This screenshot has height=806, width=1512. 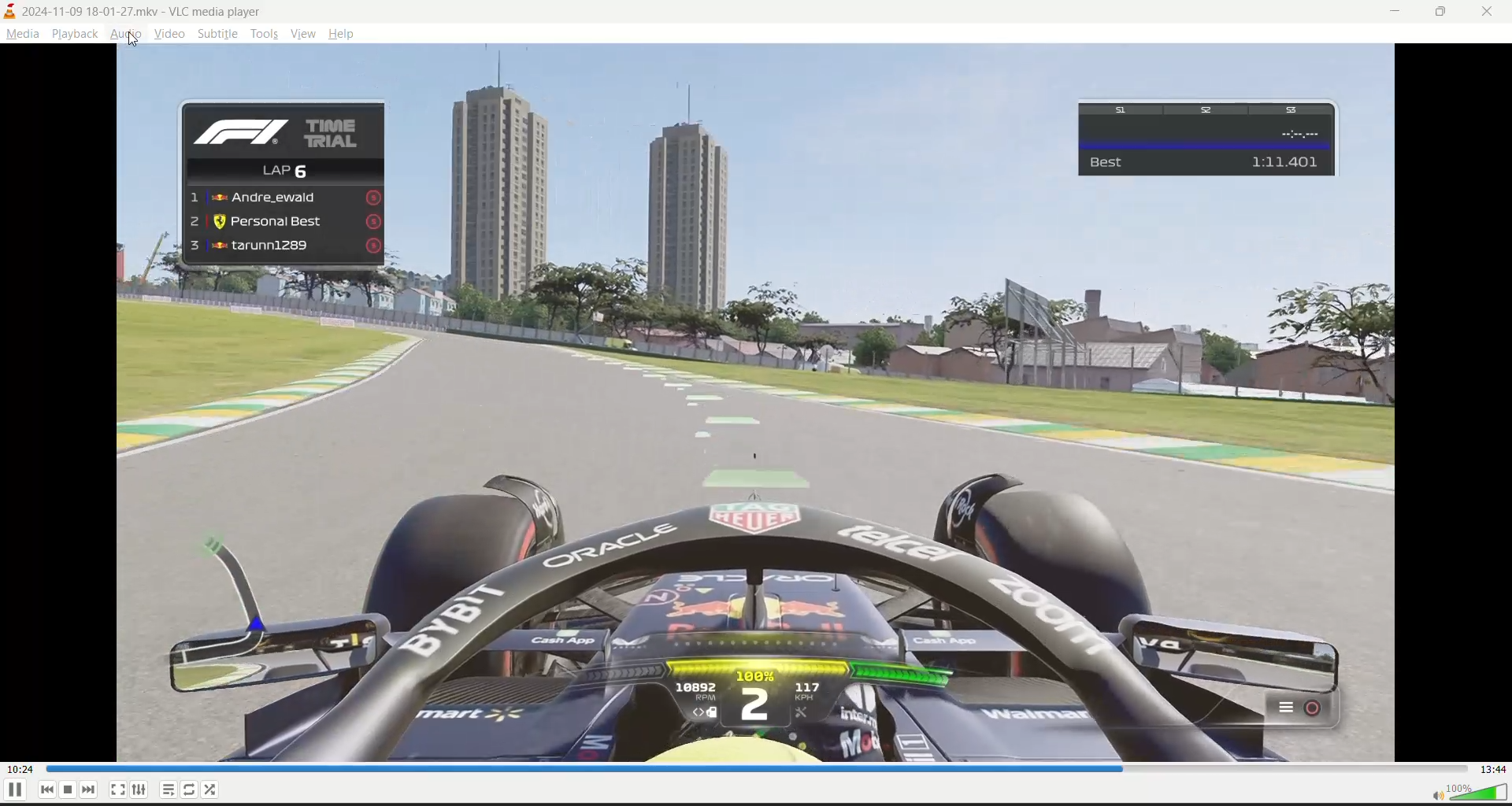 I want to click on preview, so click(x=146, y=183).